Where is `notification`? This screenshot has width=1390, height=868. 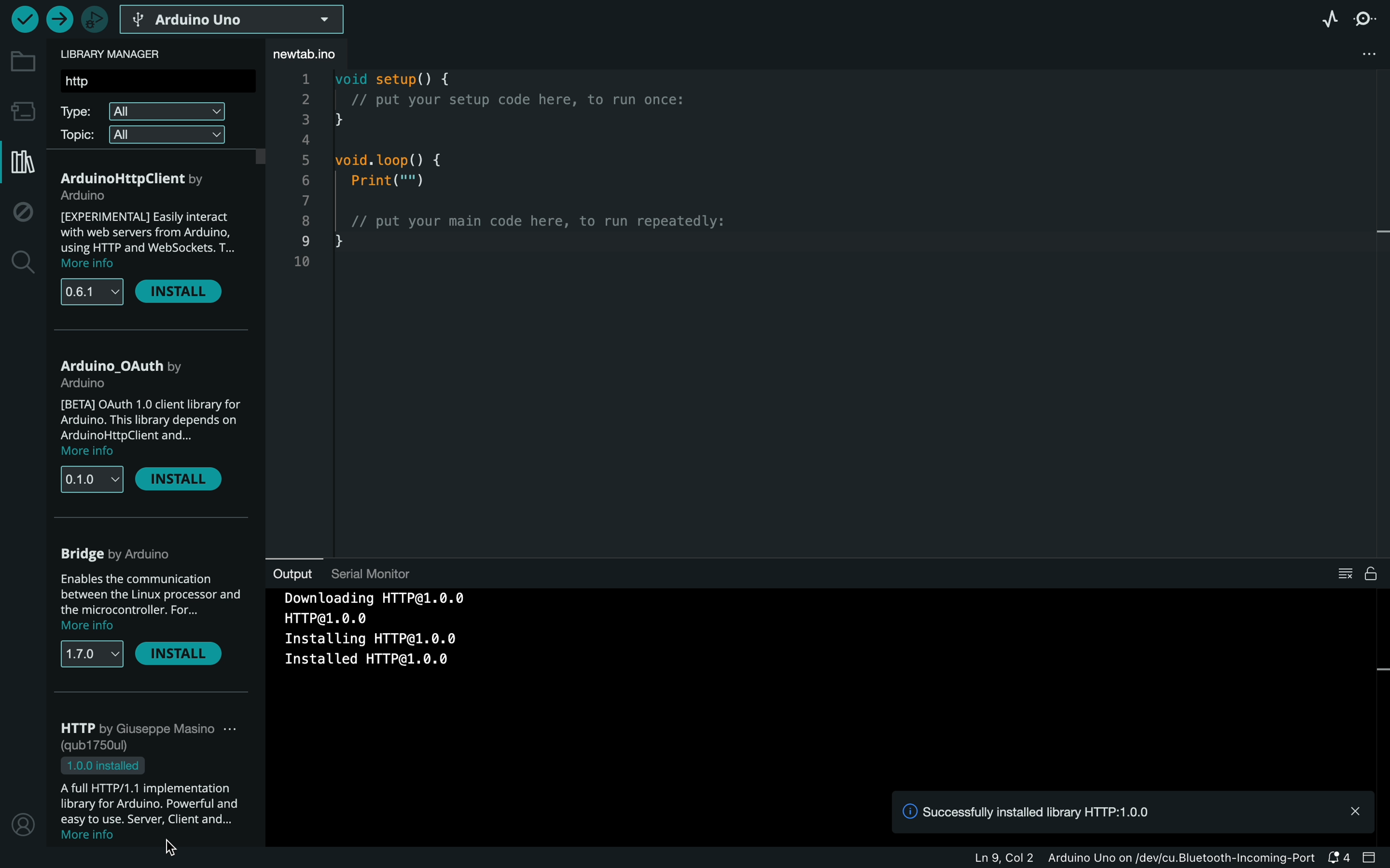
notification is located at coordinates (1135, 809).